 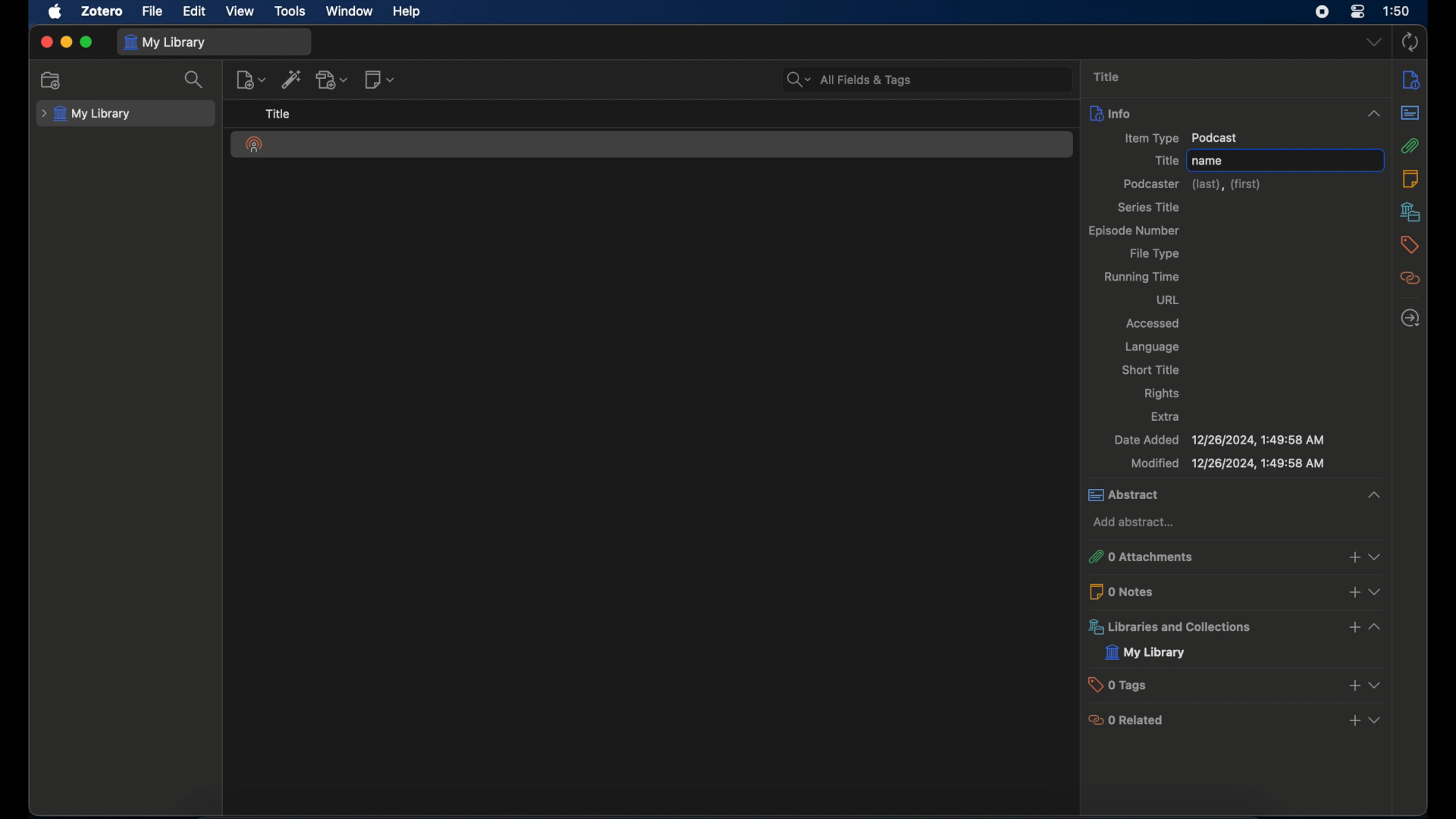 What do you see at coordinates (85, 115) in the screenshot?
I see `my library` at bounding box center [85, 115].